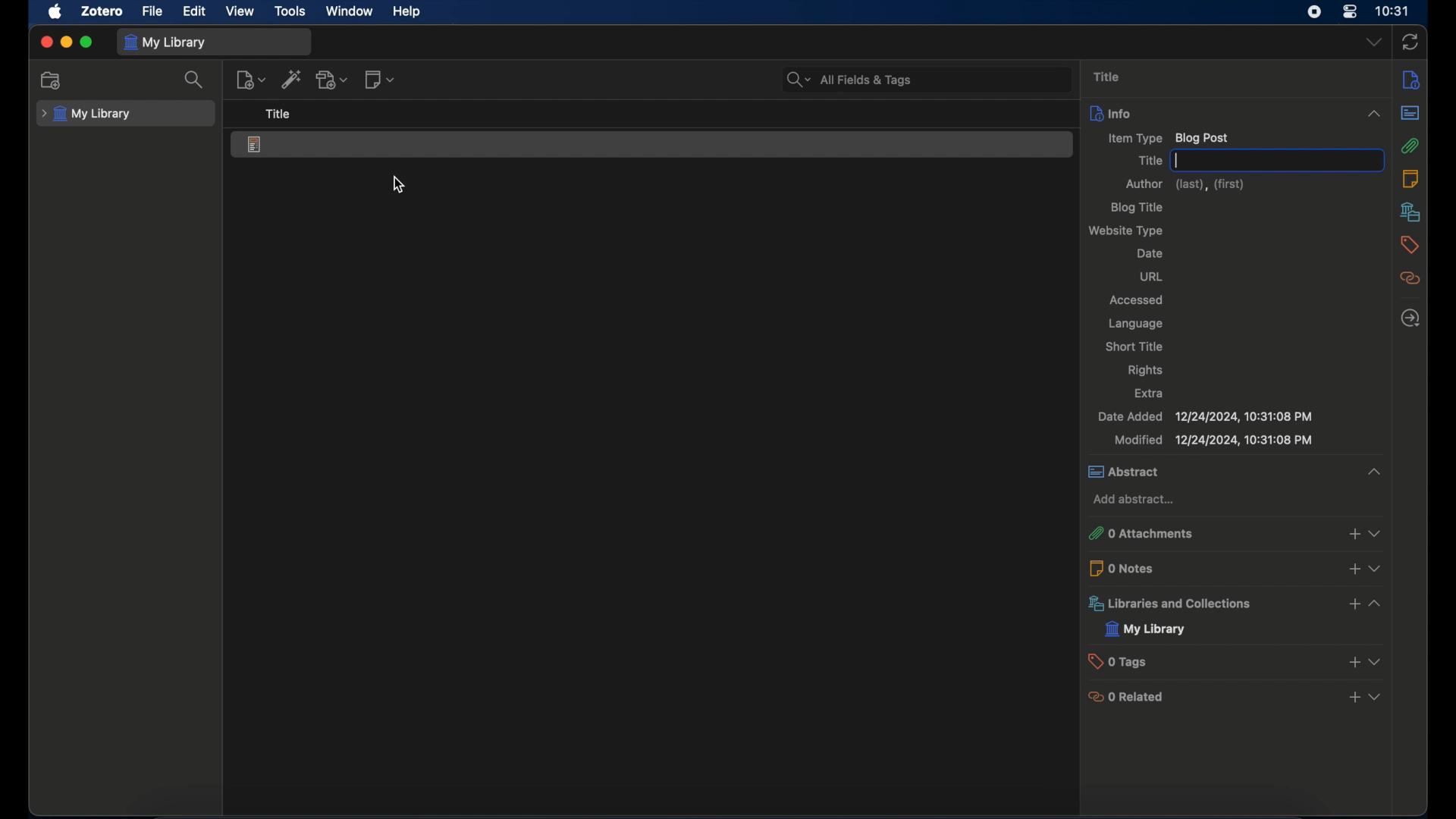 The height and width of the screenshot is (819, 1456). What do you see at coordinates (1150, 253) in the screenshot?
I see `date` at bounding box center [1150, 253].